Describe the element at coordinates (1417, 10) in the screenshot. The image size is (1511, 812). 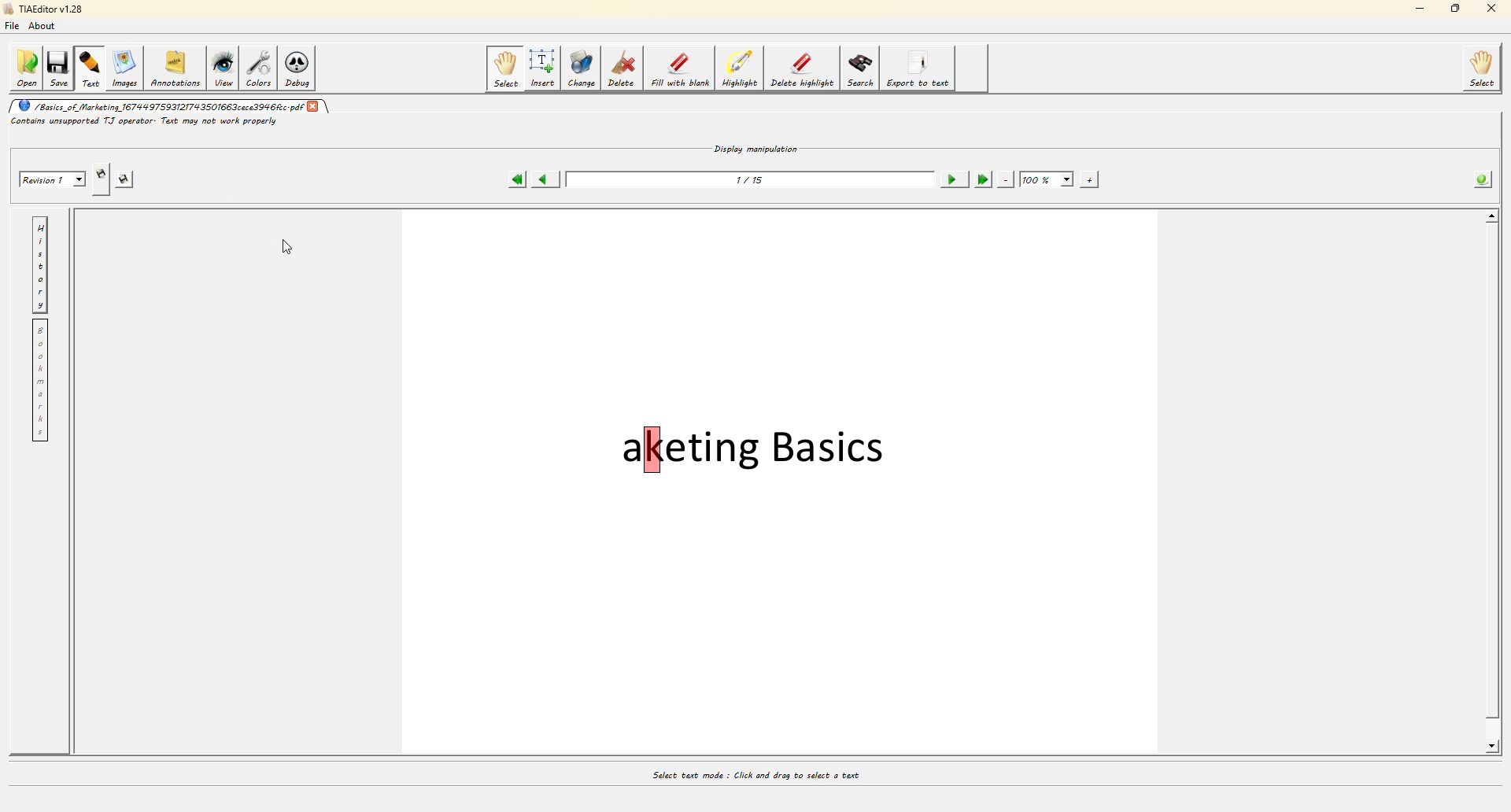
I see `minimize` at that location.